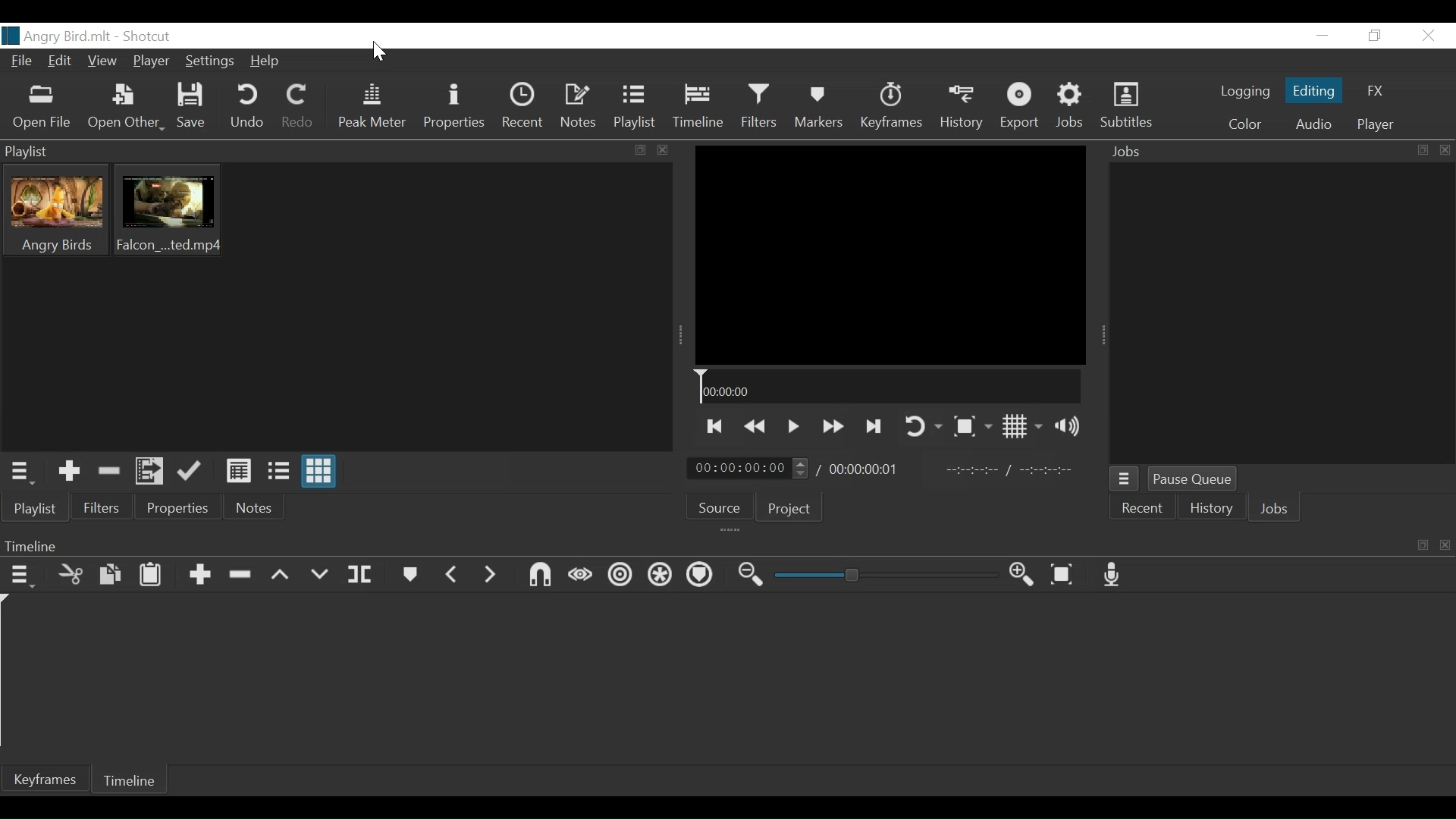 The height and width of the screenshot is (819, 1456). What do you see at coordinates (1197, 479) in the screenshot?
I see `Pause Queue` at bounding box center [1197, 479].